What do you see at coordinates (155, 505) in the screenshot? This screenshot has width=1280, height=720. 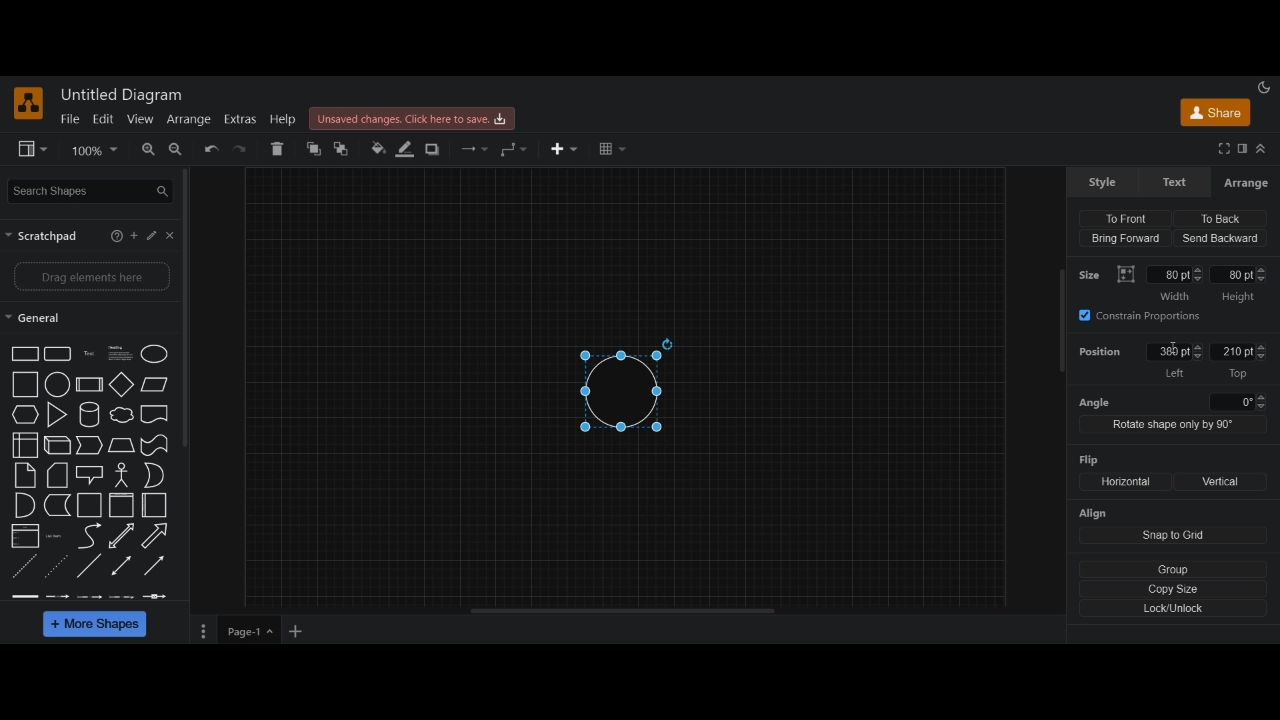 I see `Quater Square` at bounding box center [155, 505].